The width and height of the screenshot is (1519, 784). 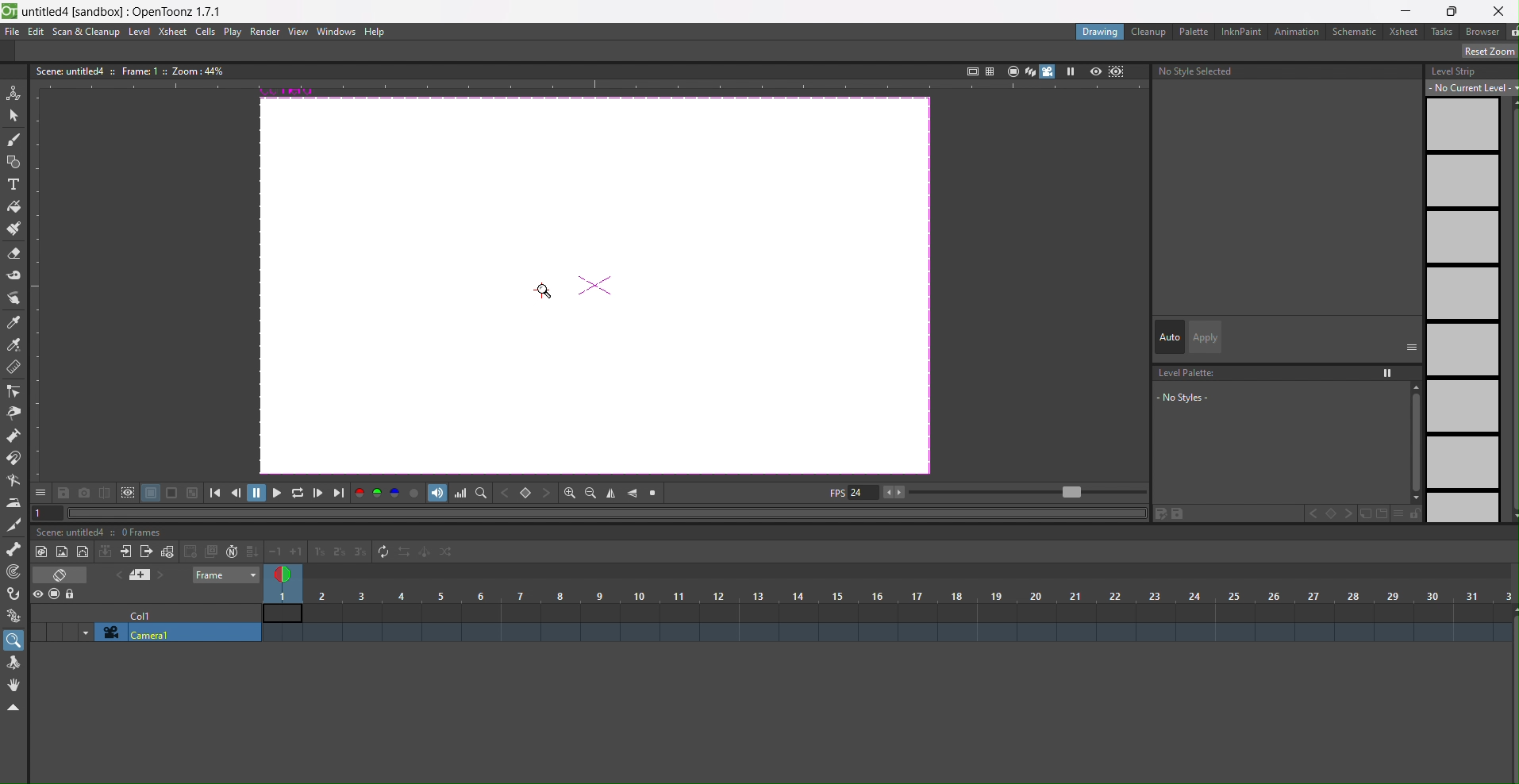 I want to click on unlocked, so click(x=1509, y=32).